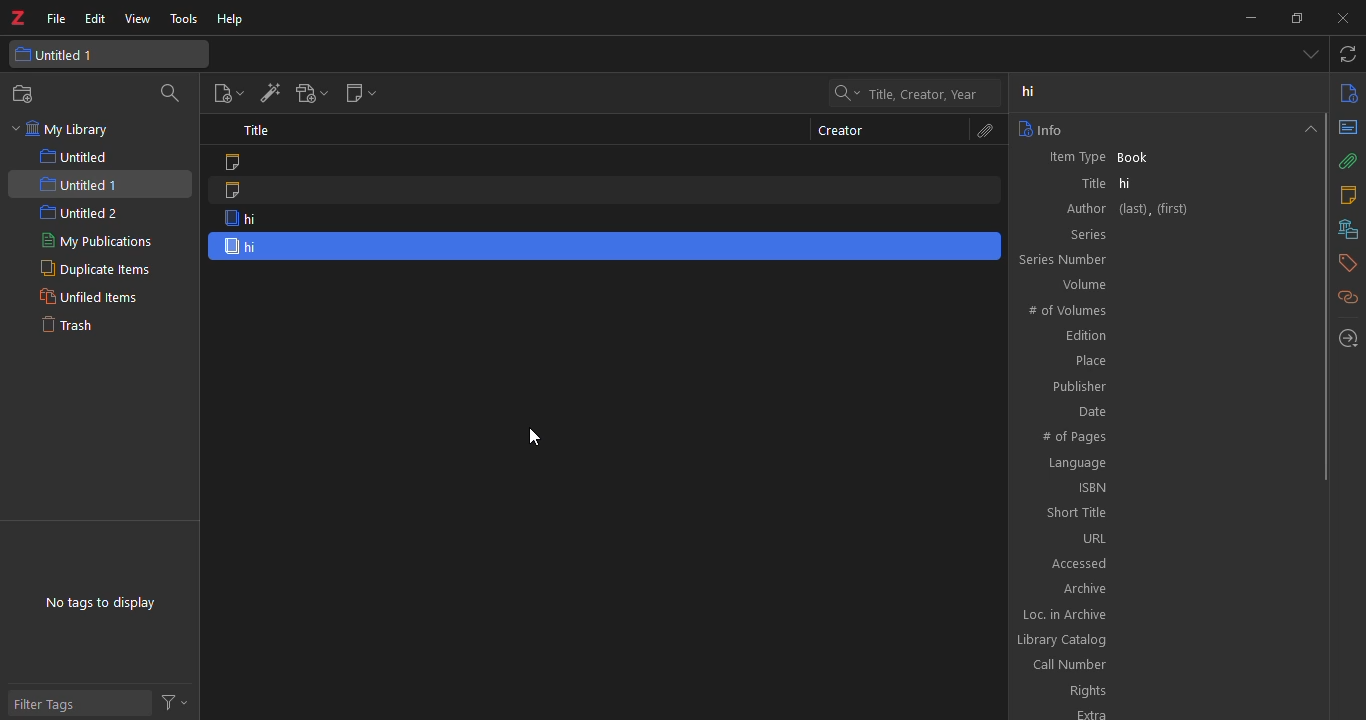 This screenshot has height=720, width=1366. Describe the element at coordinates (1306, 55) in the screenshot. I see `tab` at that location.